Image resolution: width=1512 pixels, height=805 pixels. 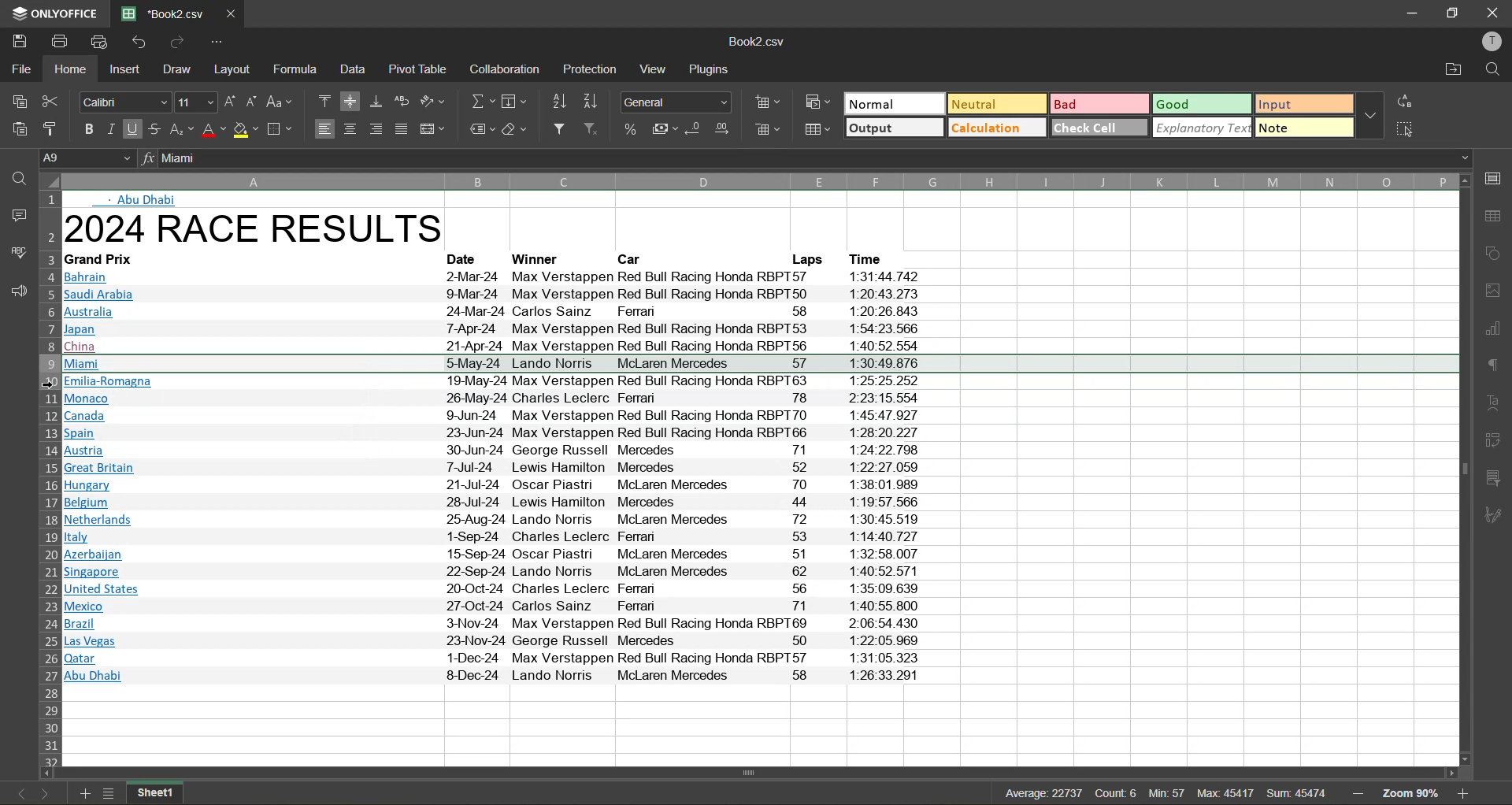 What do you see at coordinates (15, 290) in the screenshot?
I see `feedback` at bounding box center [15, 290].